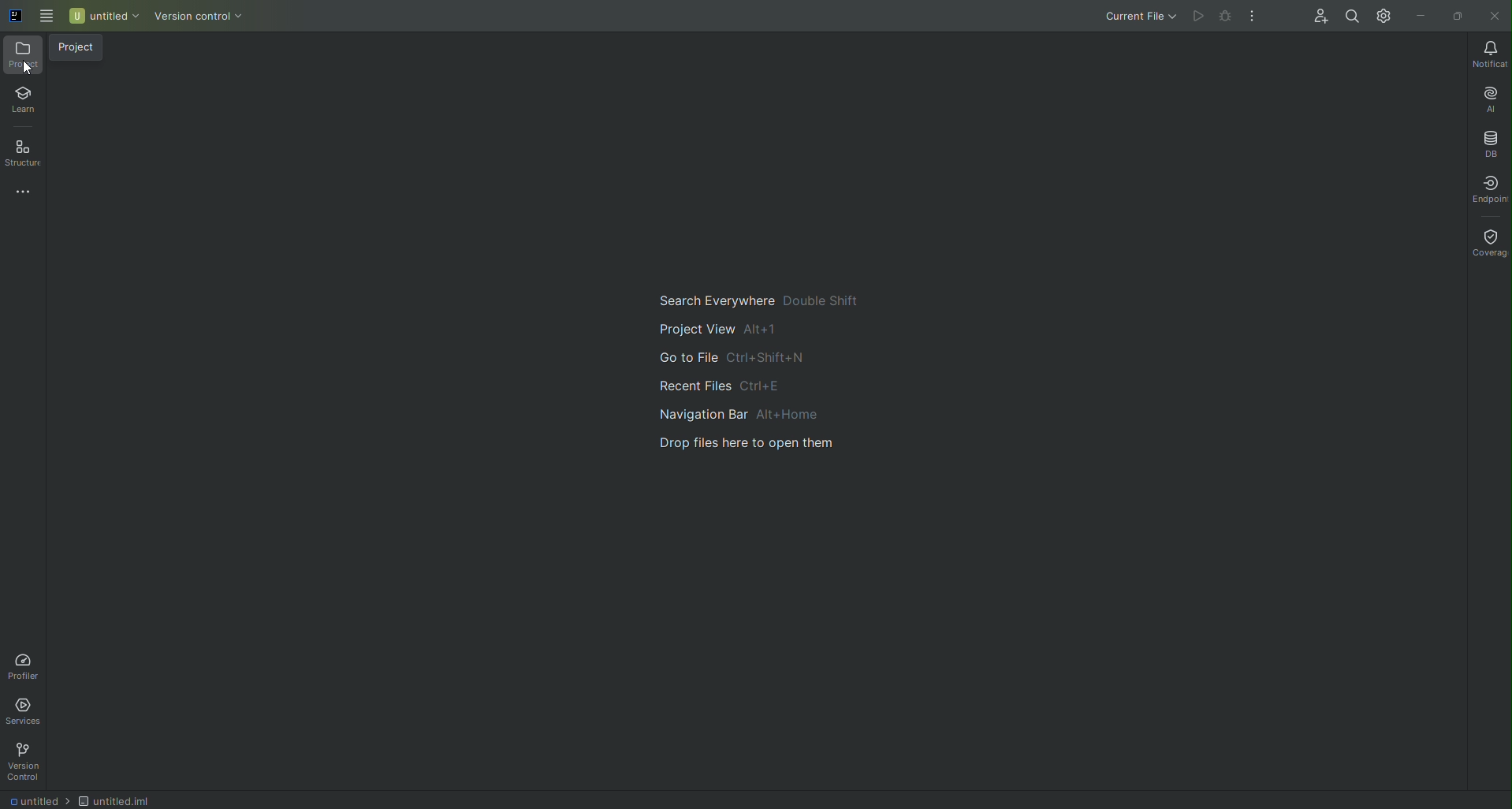 This screenshot has width=1512, height=809. Describe the element at coordinates (1418, 15) in the screenshot. I see `Minimize` at that location.